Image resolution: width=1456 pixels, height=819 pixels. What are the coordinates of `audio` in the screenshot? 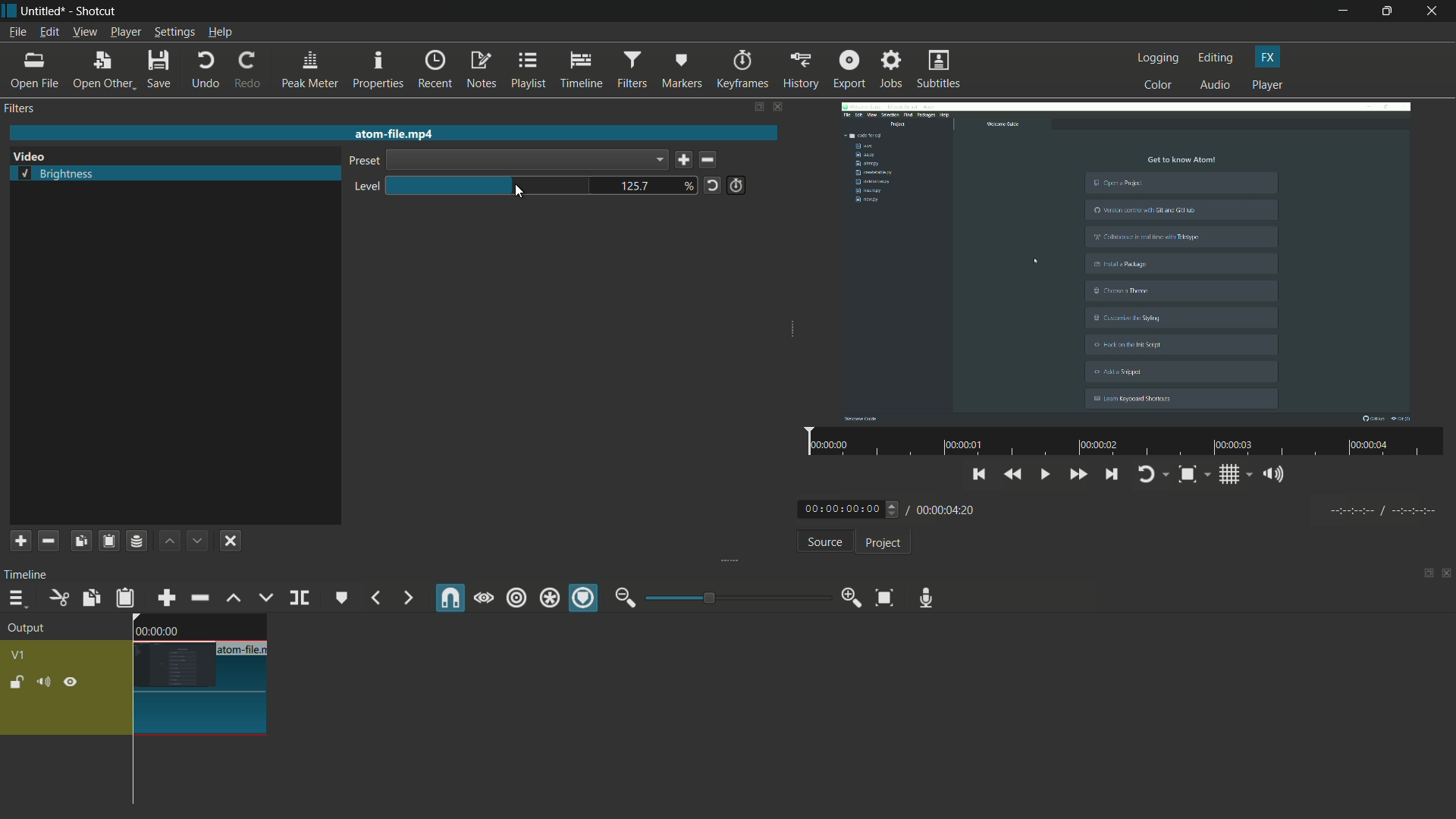 It's located at (1216, 86).